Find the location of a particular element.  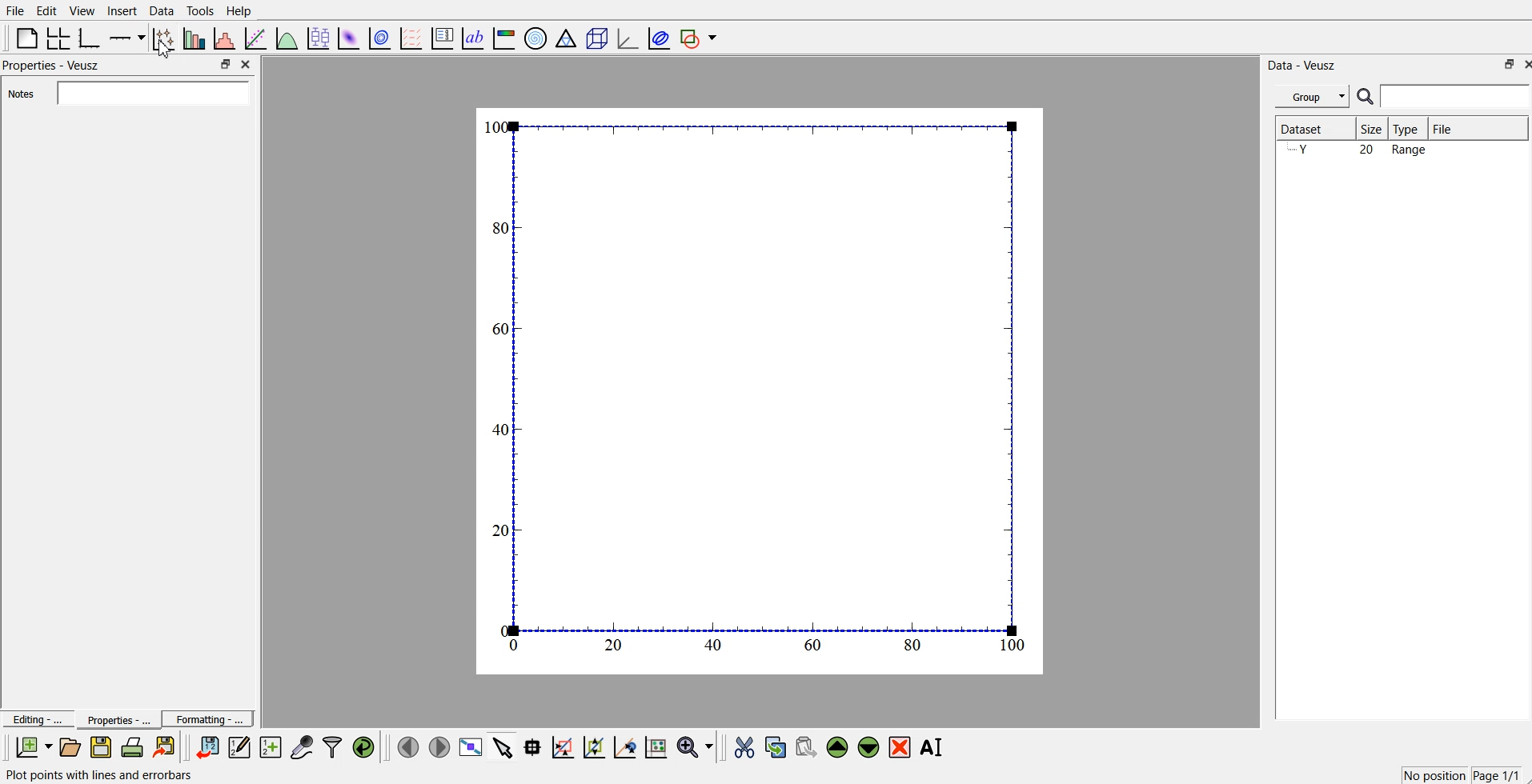

No position page 1/1 is located at coordinates (1460, 774).